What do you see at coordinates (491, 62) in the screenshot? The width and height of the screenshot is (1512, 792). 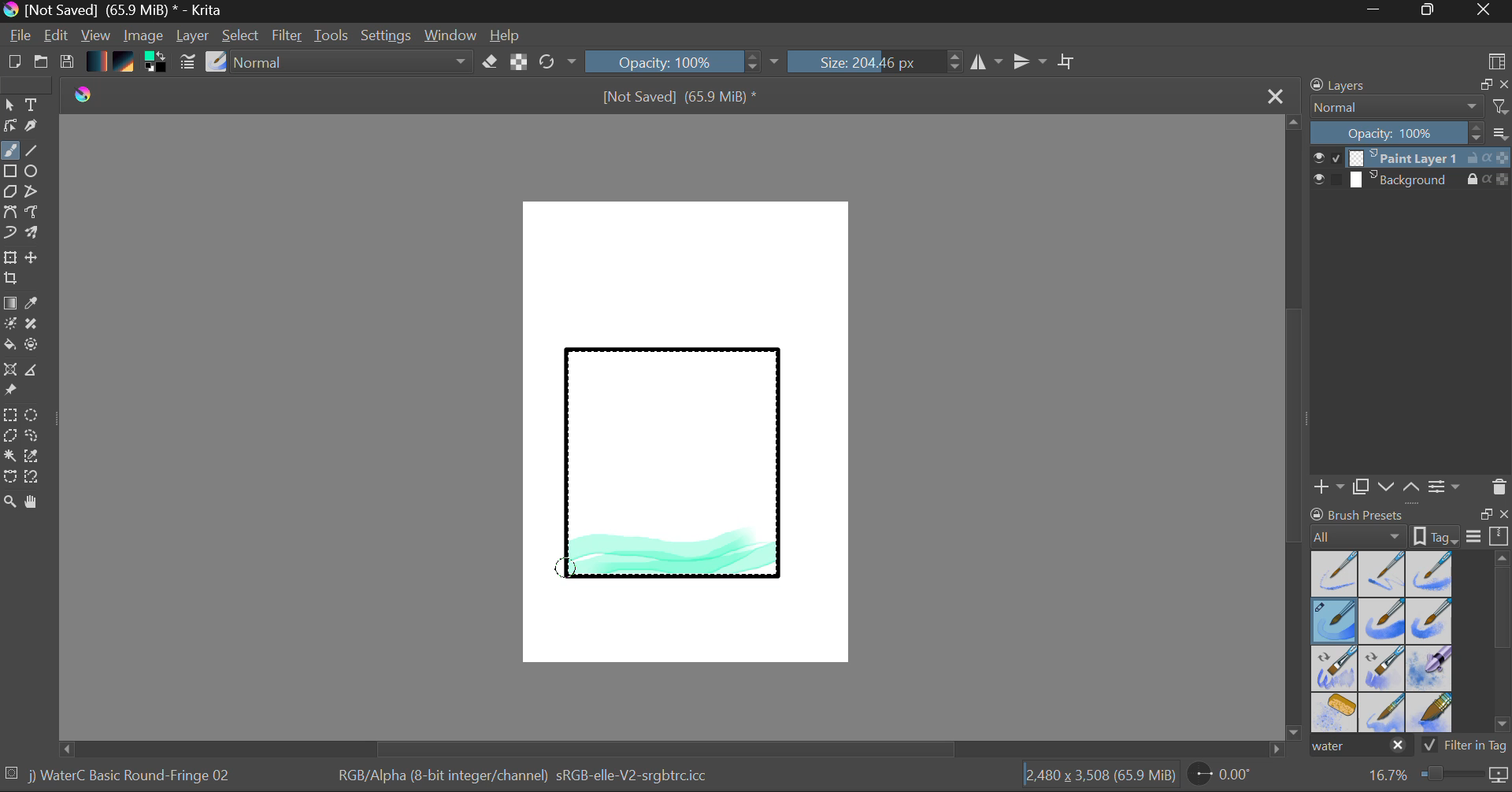 I see `Eraser` at bounding box center [491, 62].